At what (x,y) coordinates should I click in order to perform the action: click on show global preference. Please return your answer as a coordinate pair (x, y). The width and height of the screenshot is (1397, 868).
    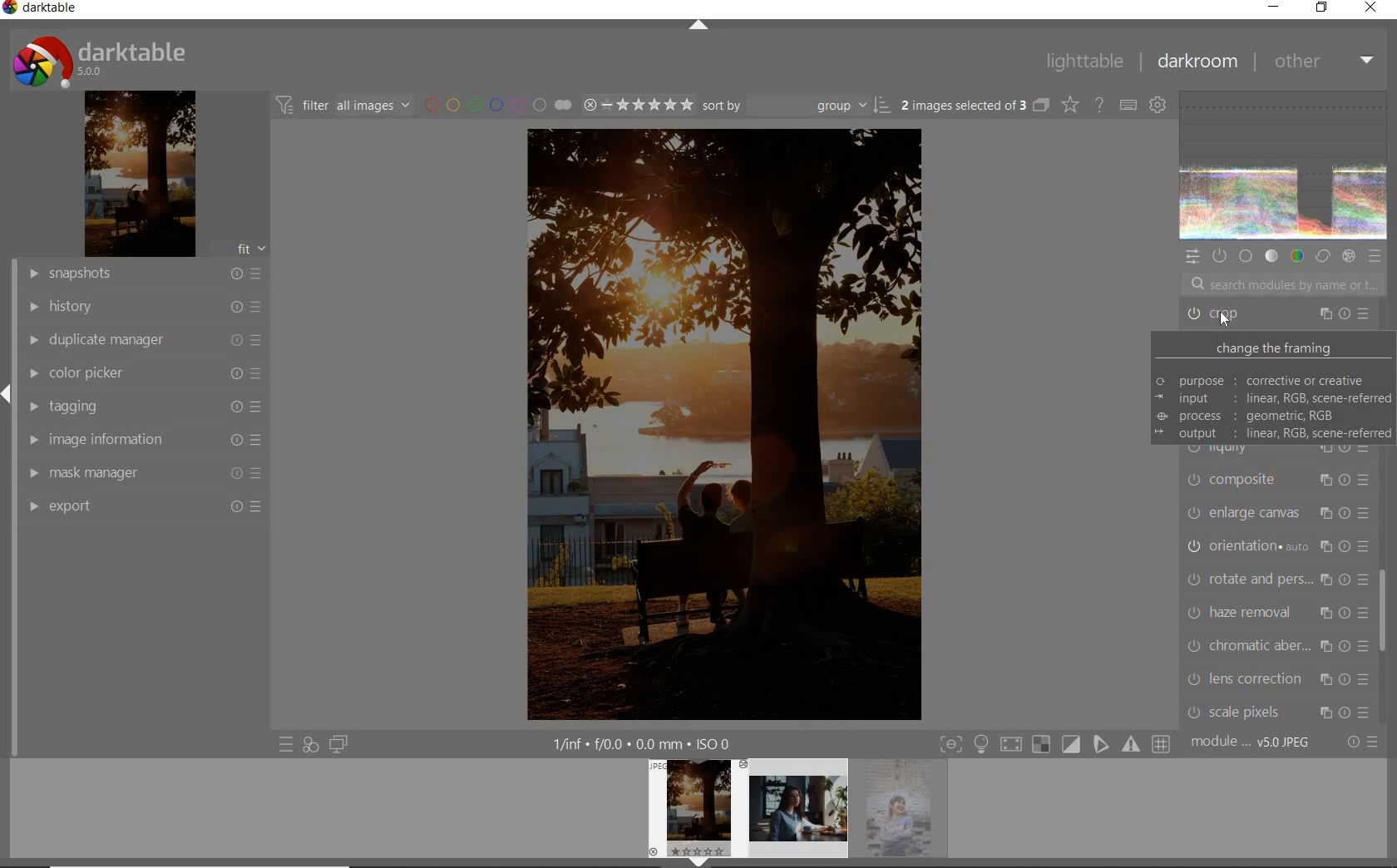
    Looking at the image, I should click on (1159, 104).